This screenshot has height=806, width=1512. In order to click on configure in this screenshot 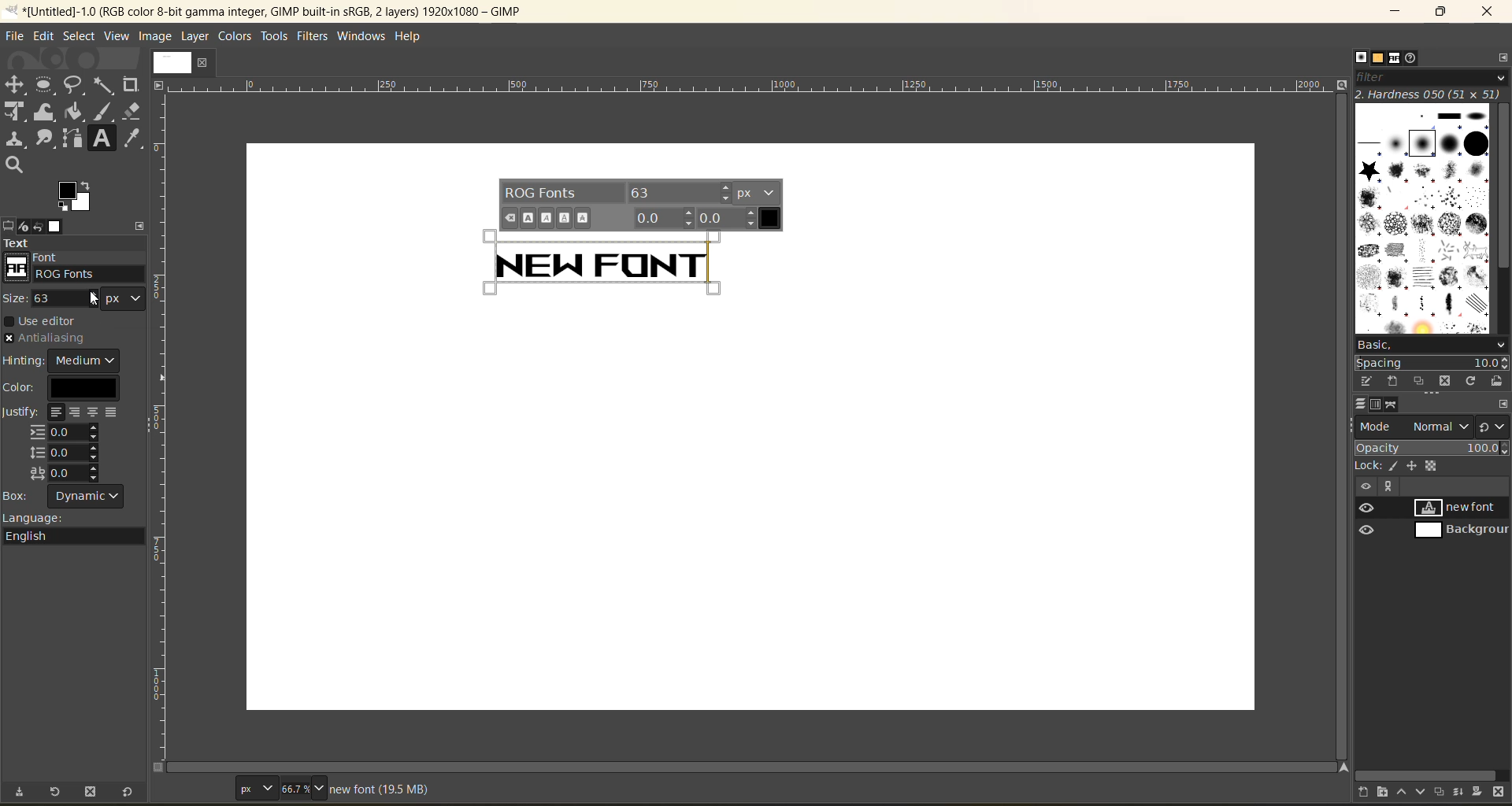, I will do `click(1503, 404)`.